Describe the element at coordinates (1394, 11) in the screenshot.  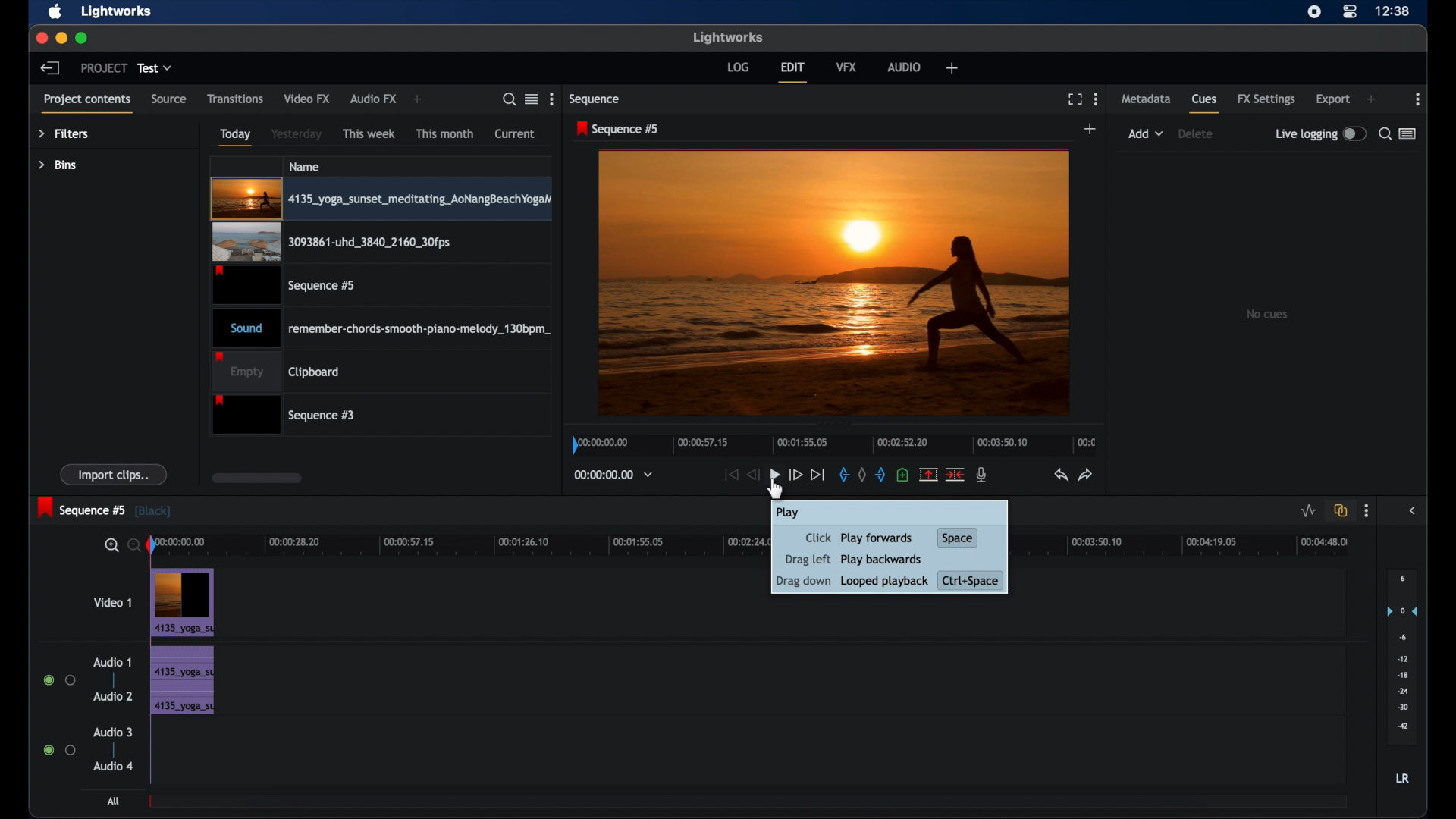
I see `time` at that location.